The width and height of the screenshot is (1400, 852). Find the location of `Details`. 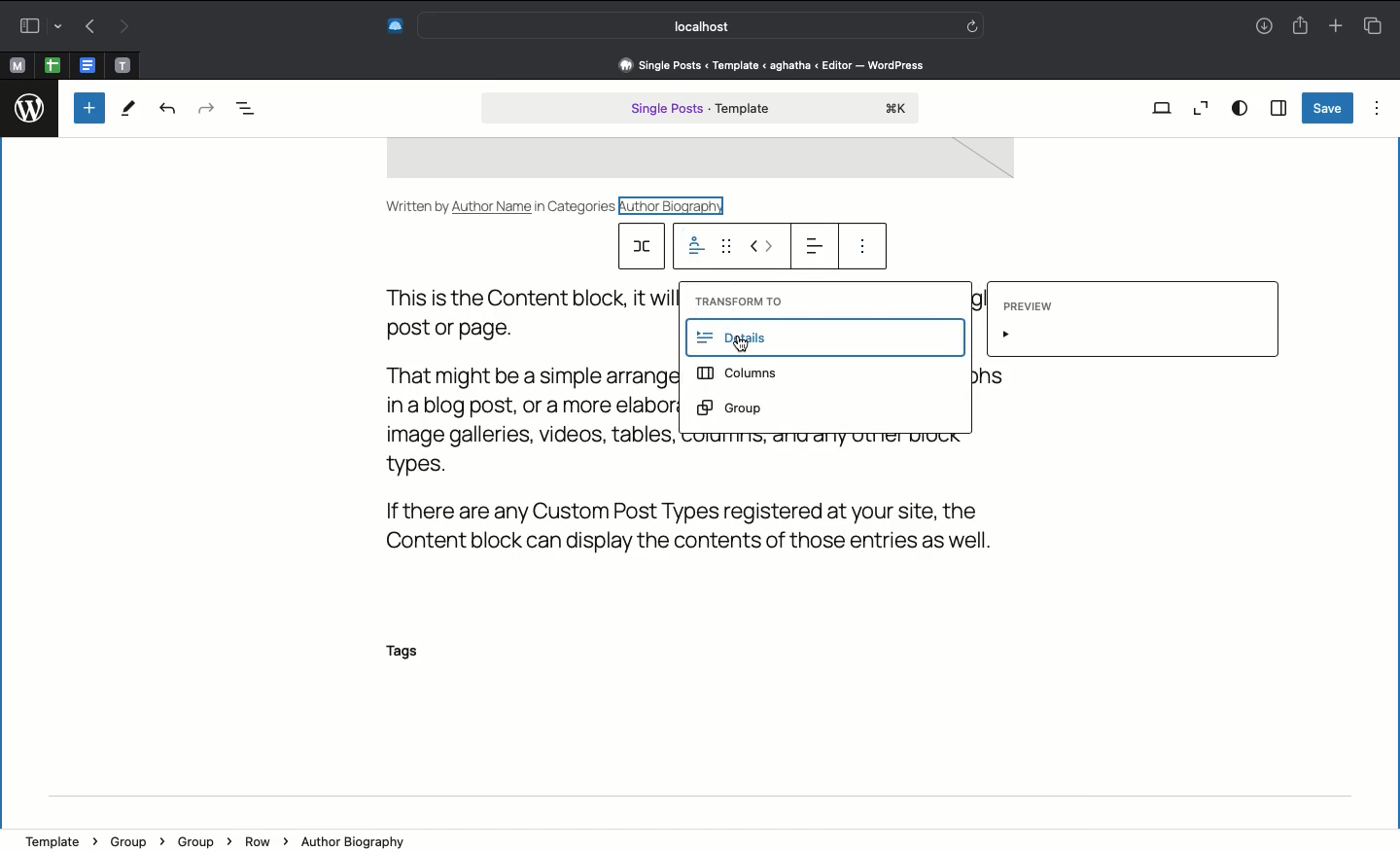

Details is located at coordinates (695, 248).